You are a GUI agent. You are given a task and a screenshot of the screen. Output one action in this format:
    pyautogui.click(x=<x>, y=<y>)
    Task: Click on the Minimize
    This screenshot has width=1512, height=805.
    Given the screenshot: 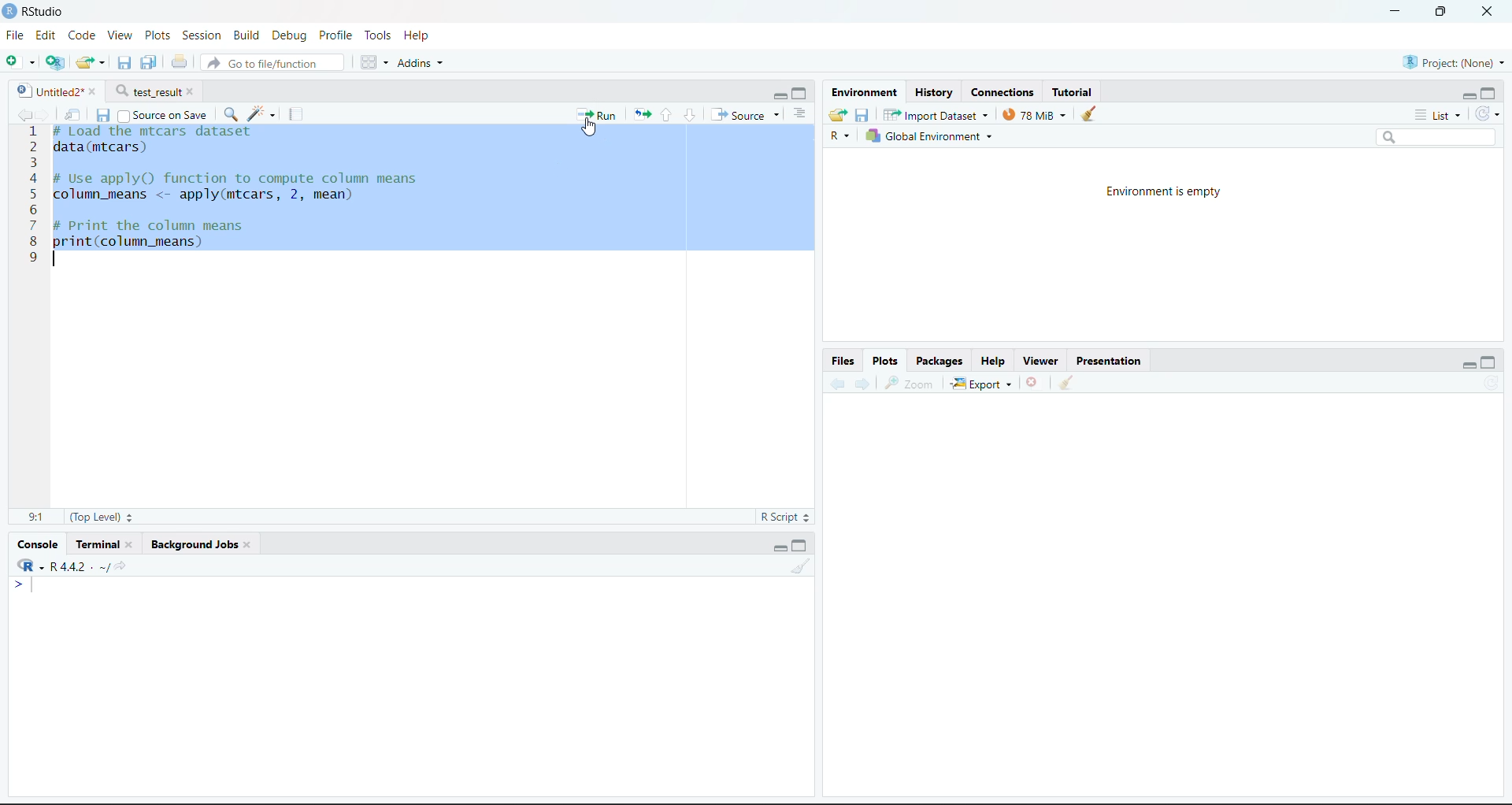 What is the action you would take?
    pyautogui.click(x=776, y=547)
    